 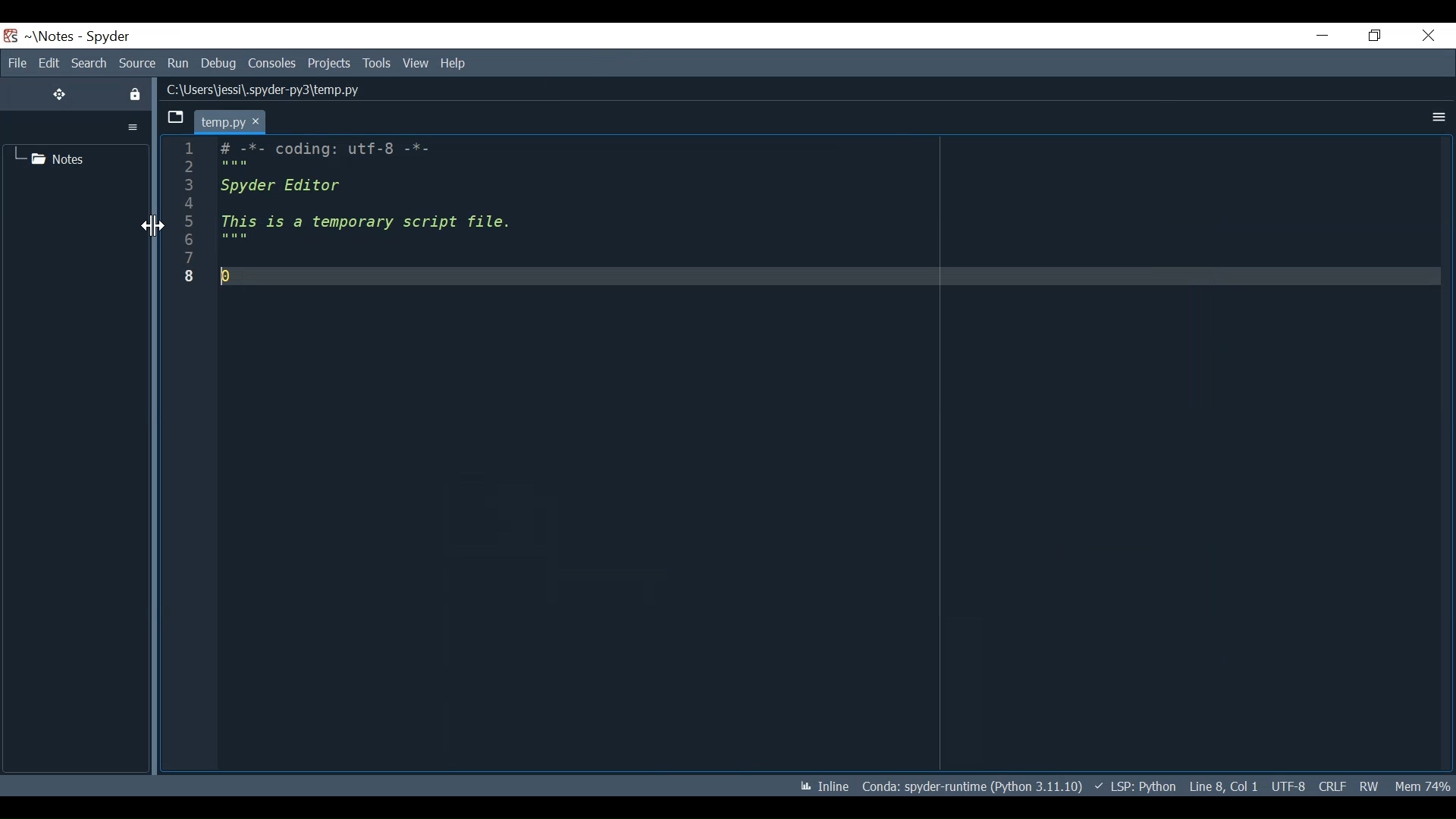 I want to click on Search, so click(x=88, y=63).